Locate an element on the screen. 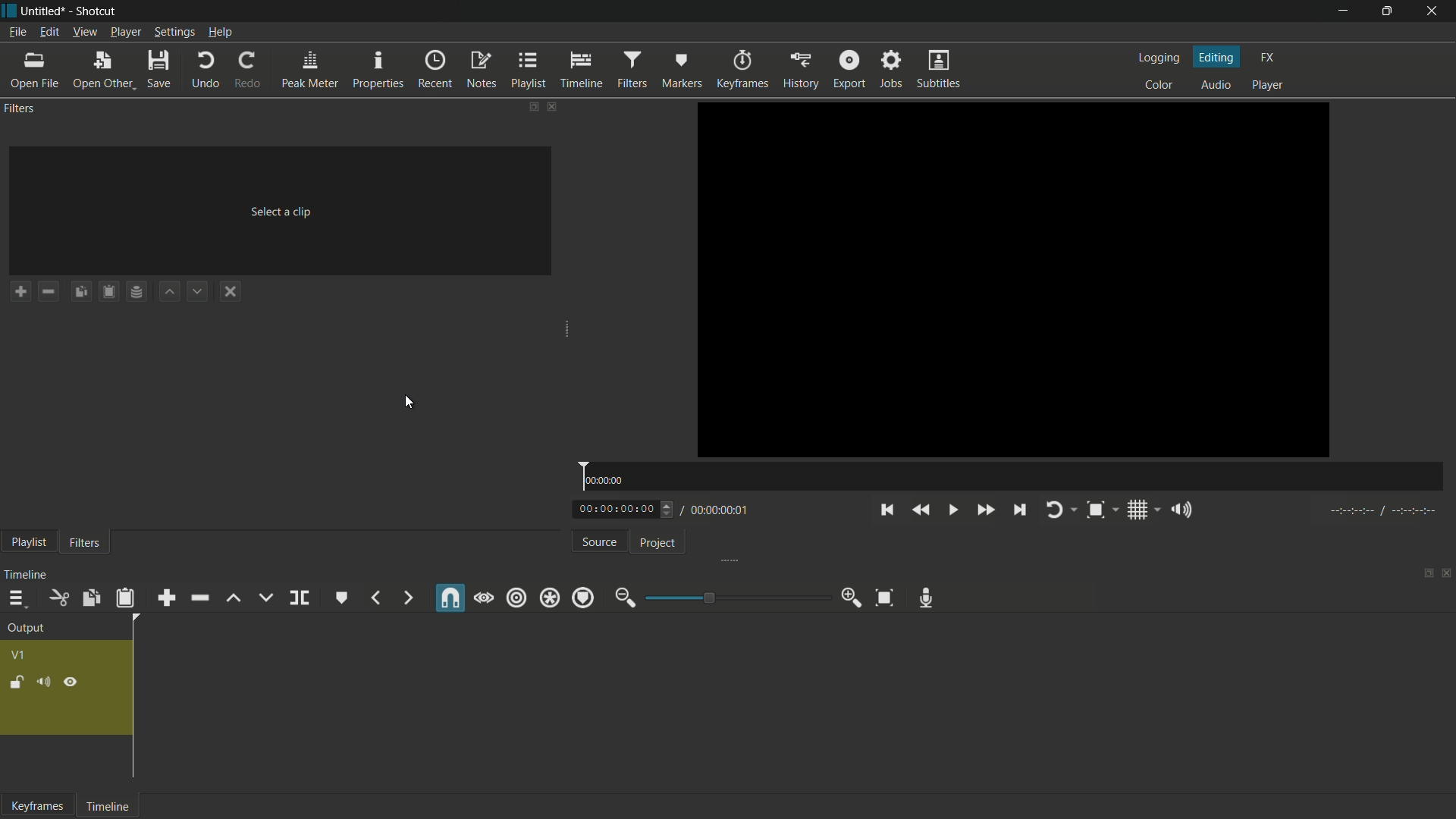  Untitled is located at coordinates (46, 10).